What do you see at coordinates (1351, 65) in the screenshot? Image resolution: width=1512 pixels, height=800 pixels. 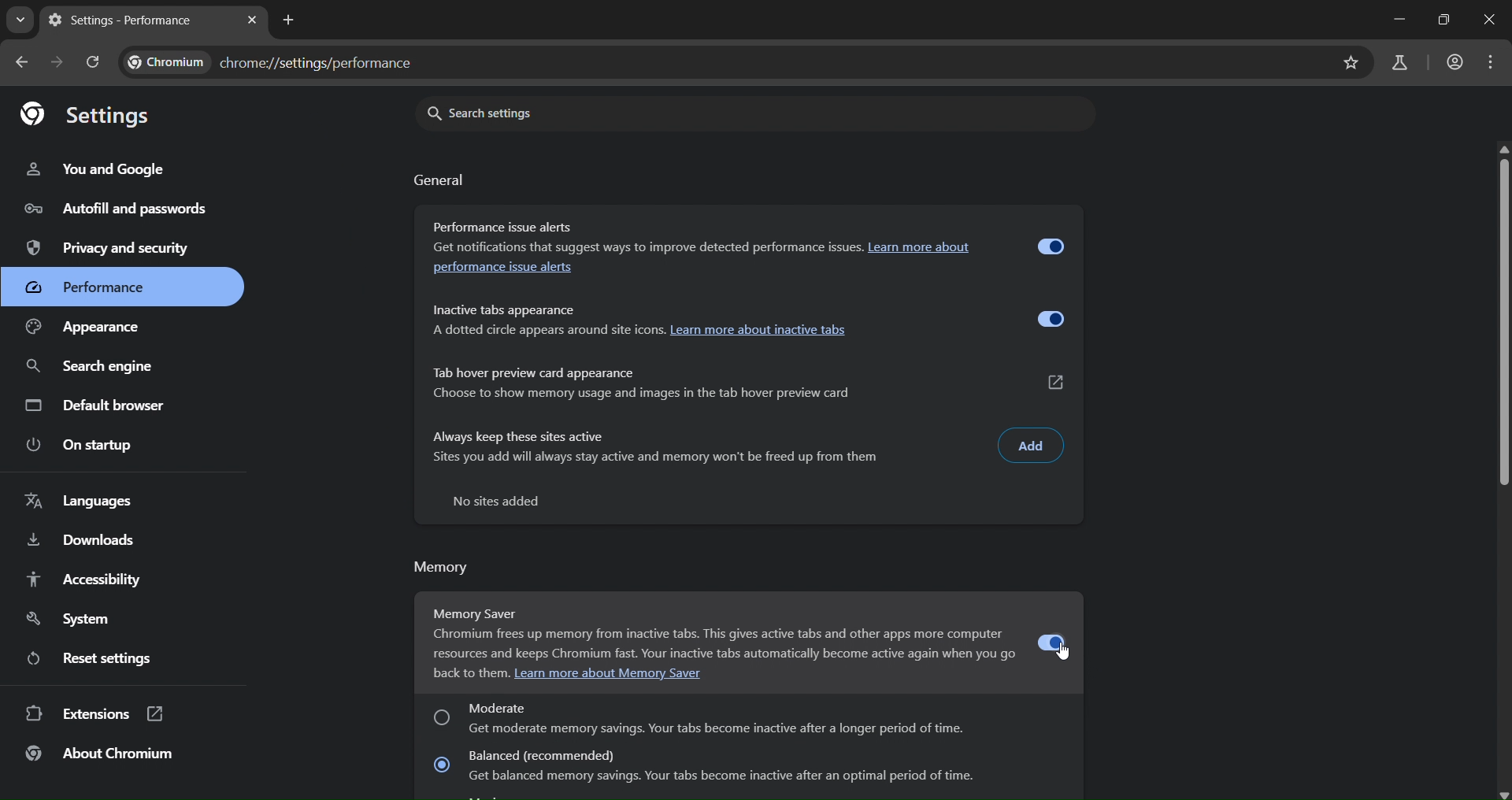 I see `bookmarks` at bounding box center [1351, 65].